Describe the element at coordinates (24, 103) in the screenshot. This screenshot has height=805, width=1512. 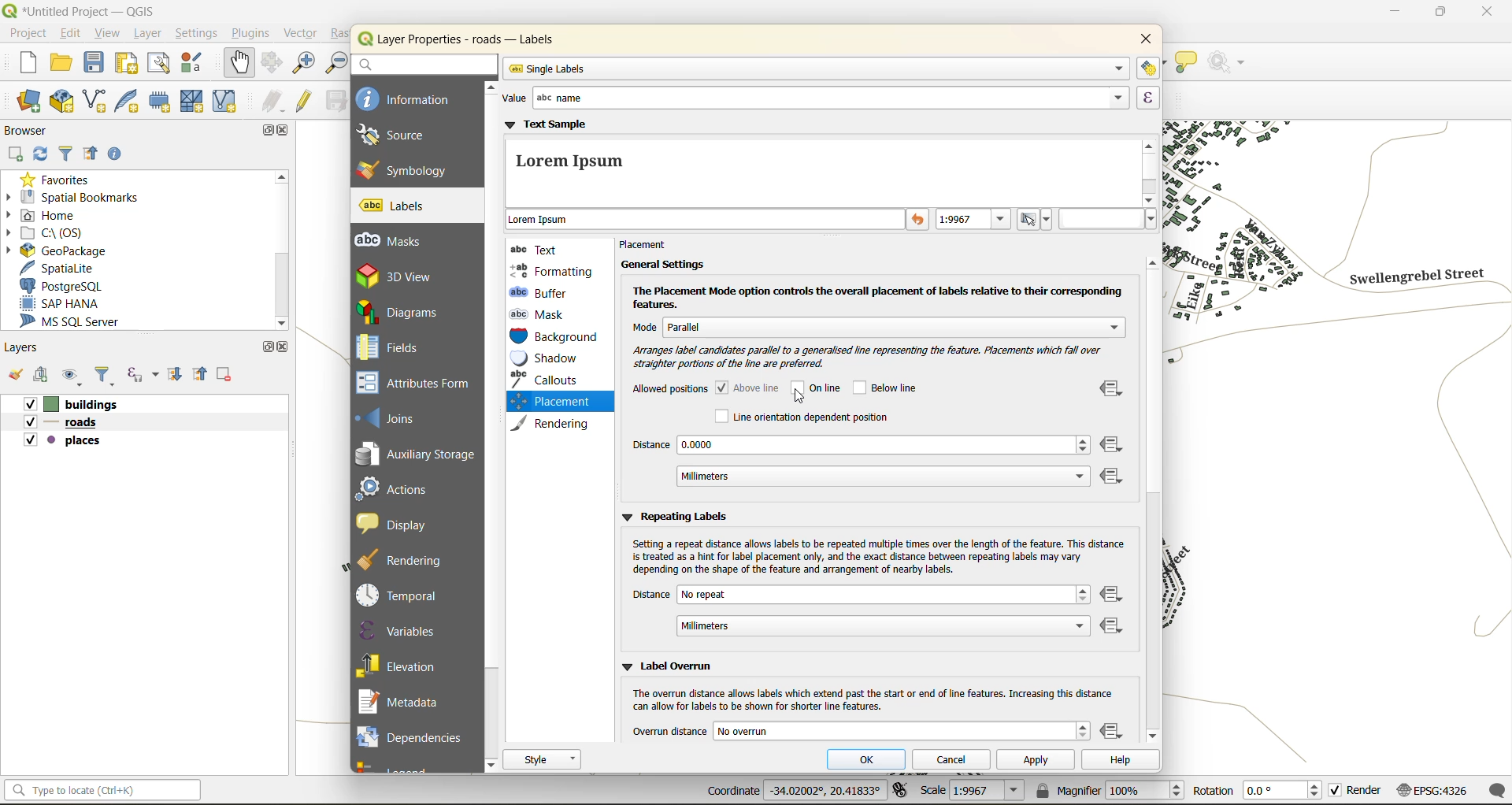
I see `open data source manager` at that location.